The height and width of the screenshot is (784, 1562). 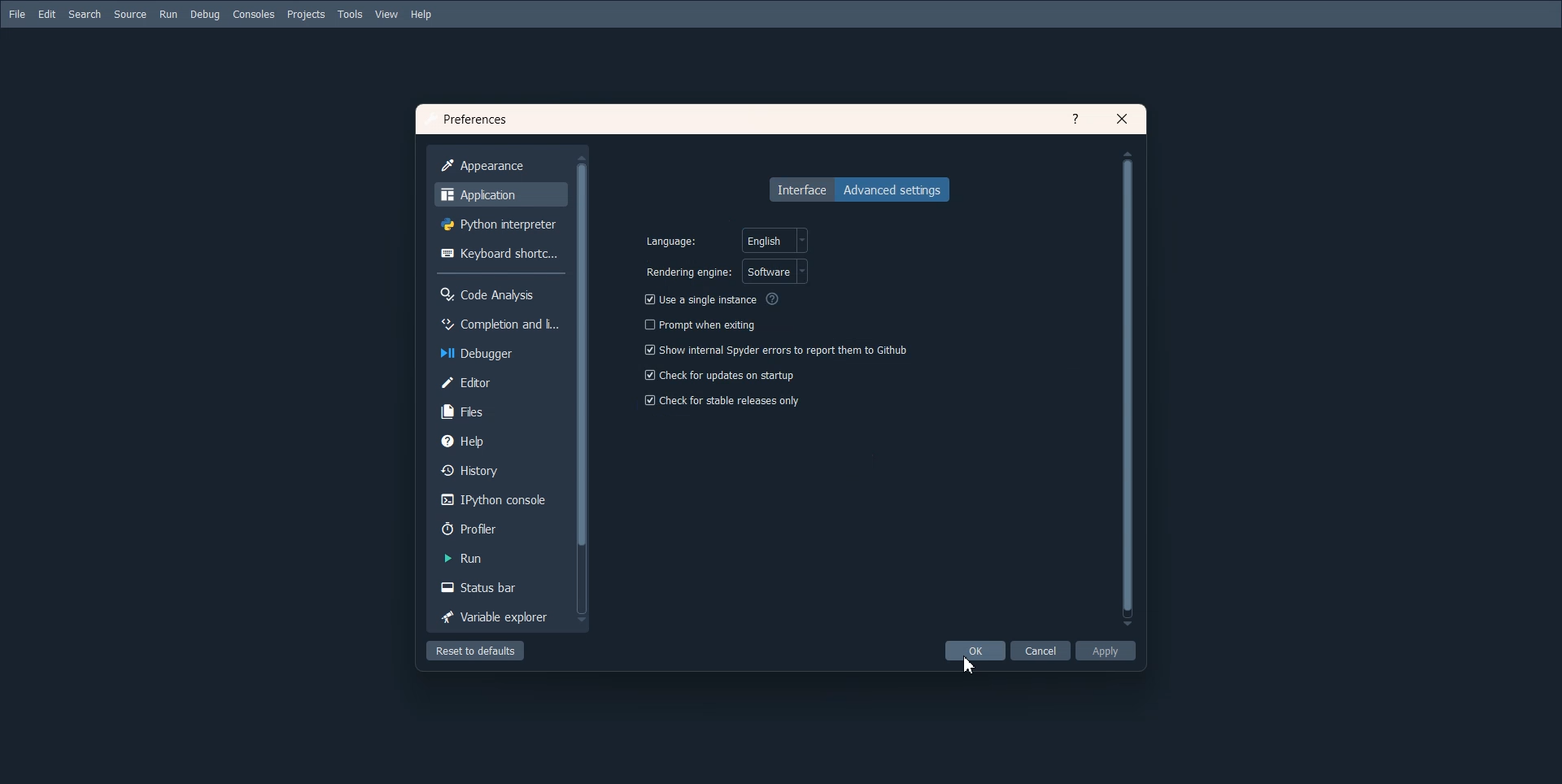 I want to click on View , so click(x=387, y=15).